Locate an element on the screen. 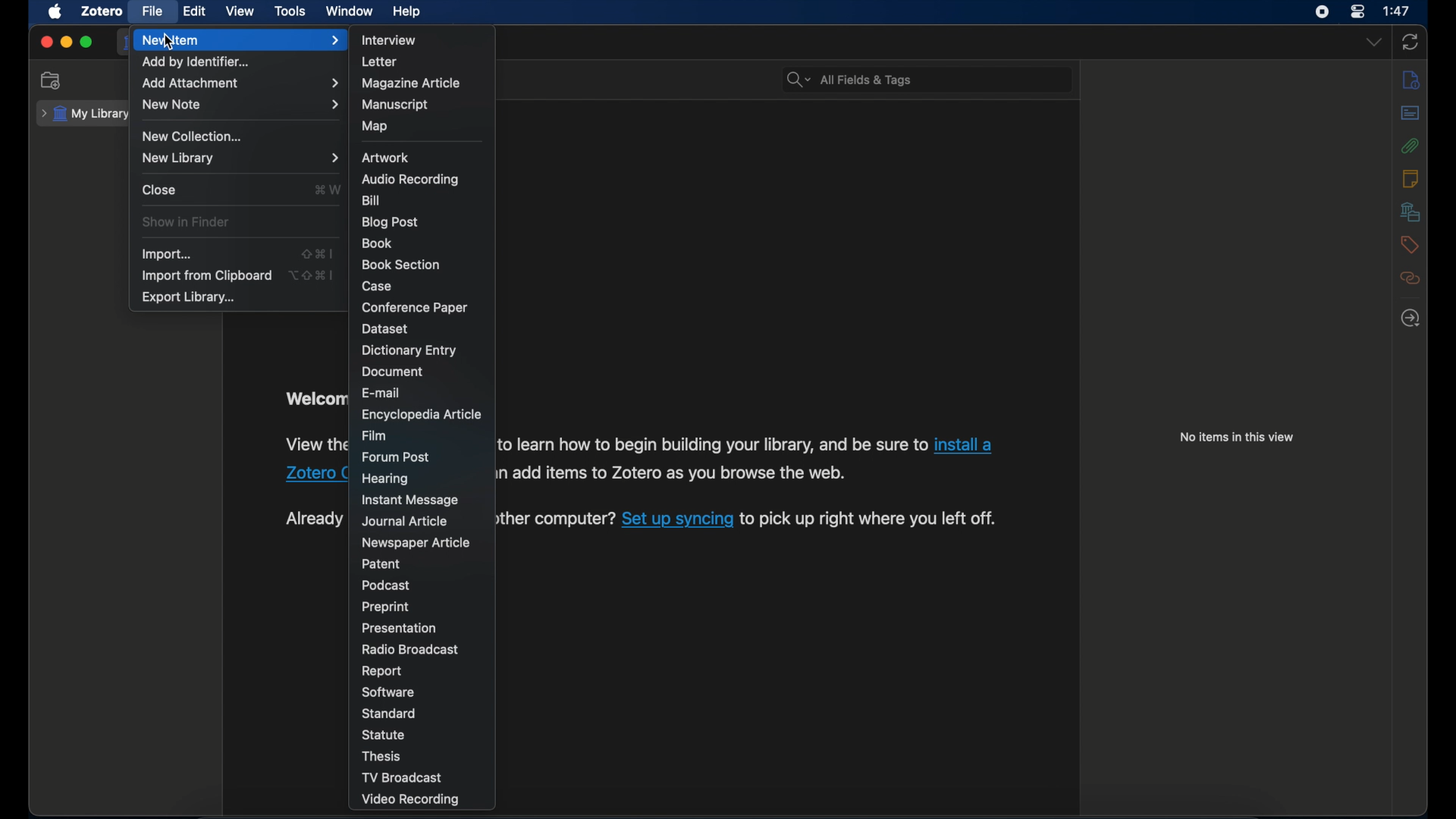 The height and width of the screenshot is (819, 1456). letter is located at coordinates (381, 61).